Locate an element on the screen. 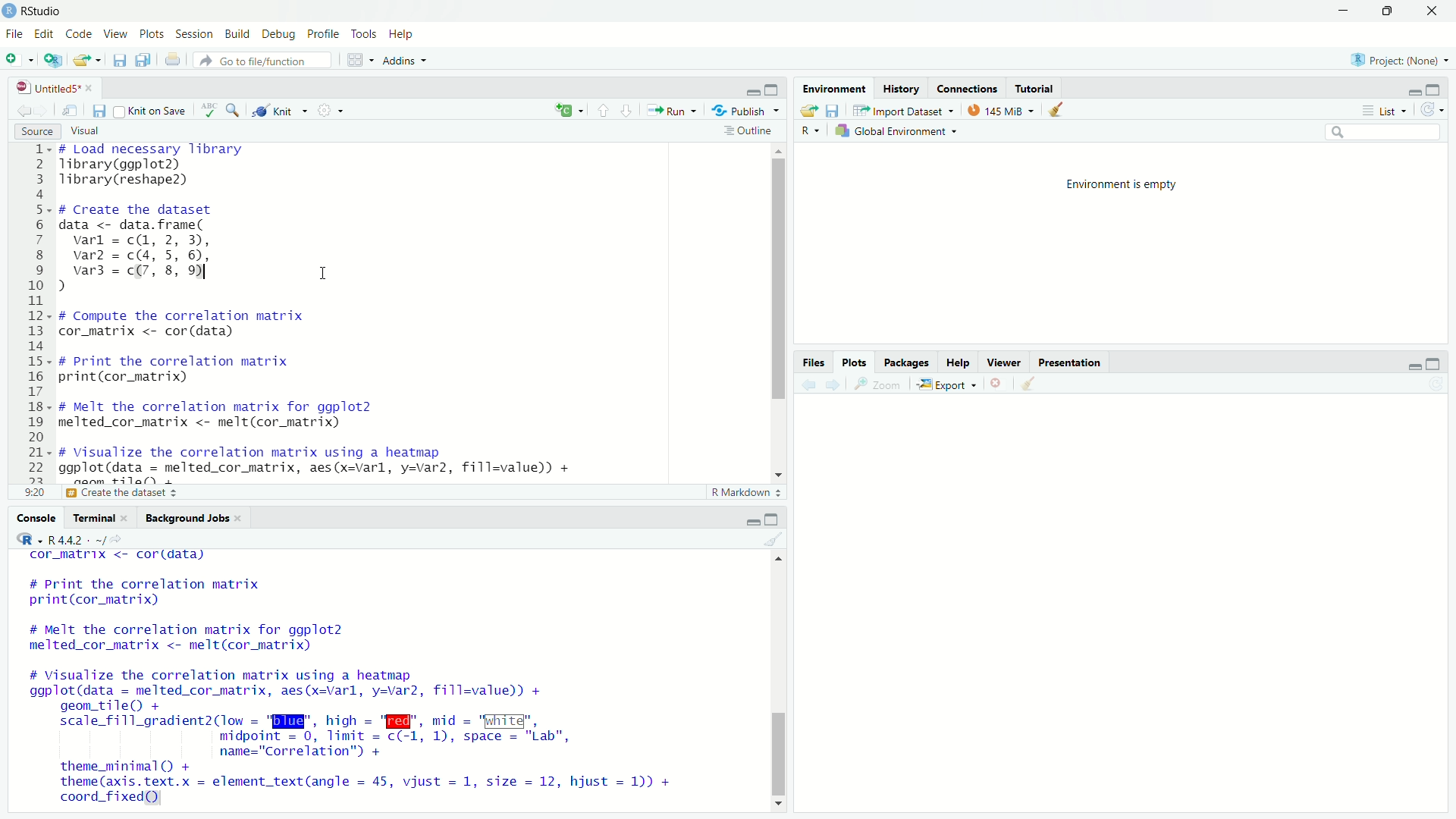 This screenshot has width=1456, height=819. files is located at coordinates (815, 362).